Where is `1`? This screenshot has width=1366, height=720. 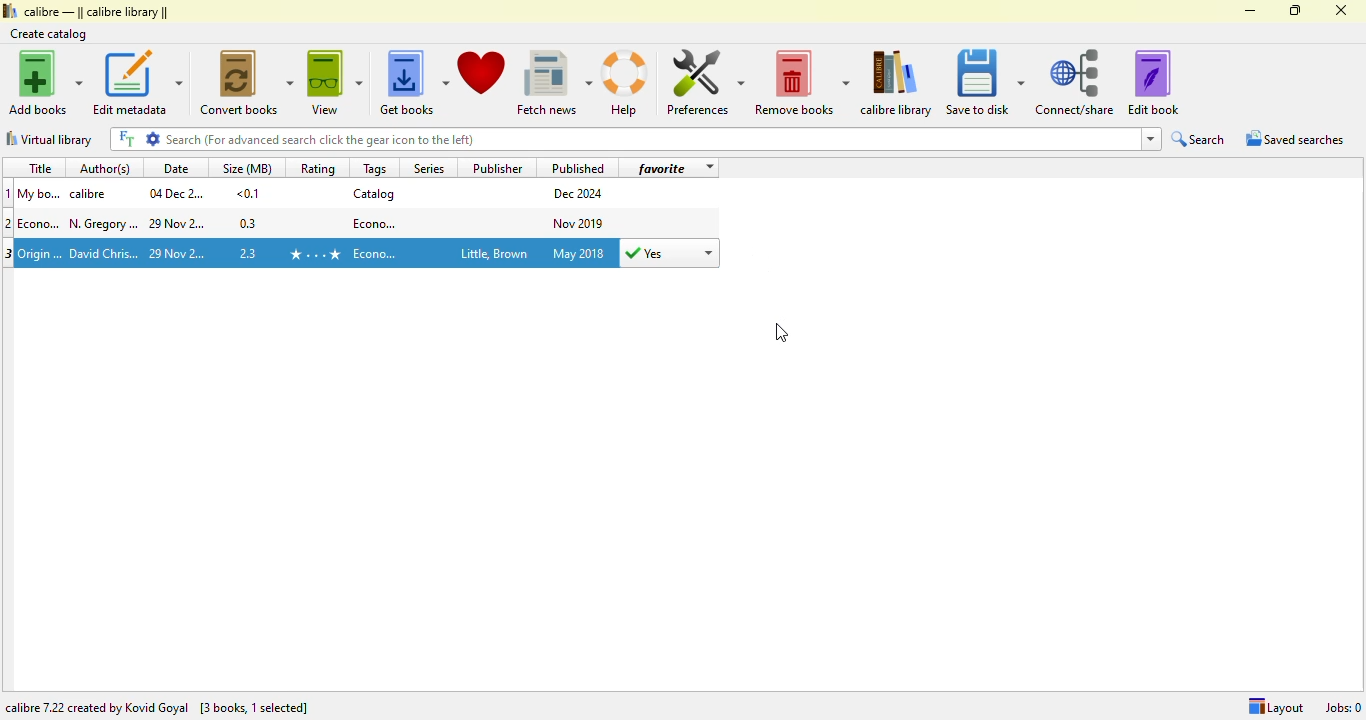
1 is located at coordinates (9, 193).